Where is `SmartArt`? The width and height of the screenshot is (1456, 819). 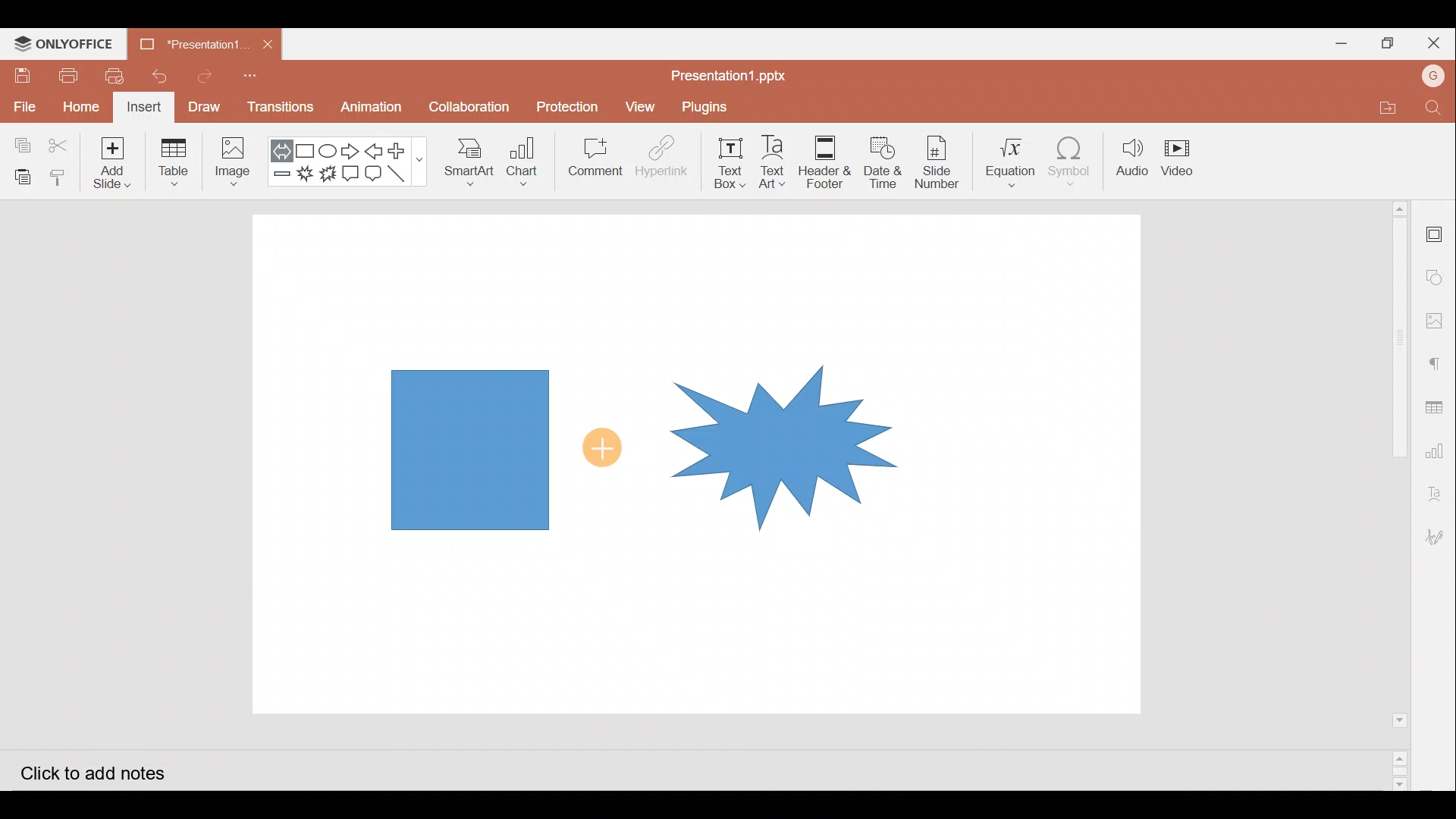
SmartArt is located at coordinates (469, 165).